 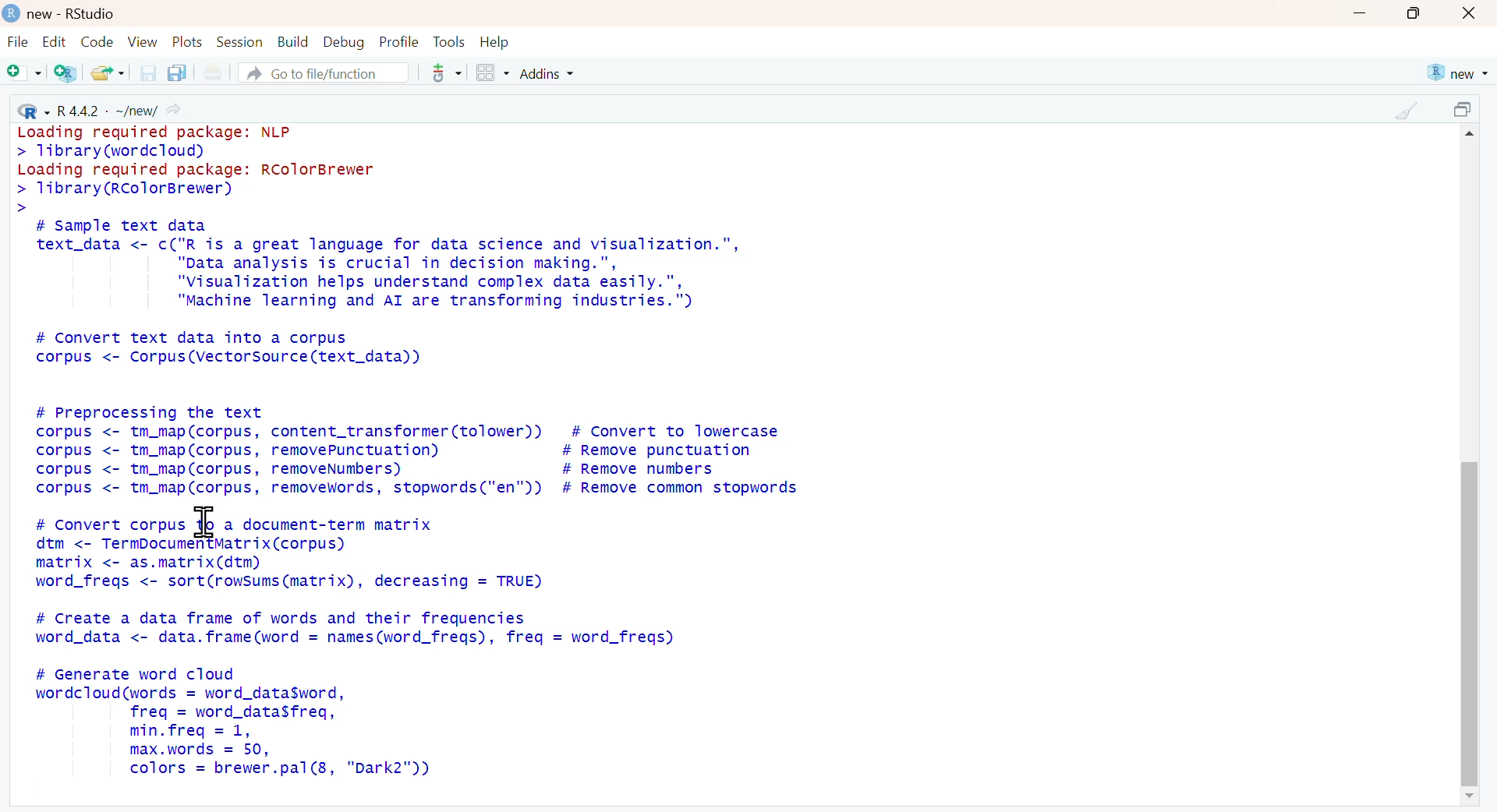 What do you see at coordinates (242, 42) in the screenshot?
I see `Session` at bounding box center [242, 42].